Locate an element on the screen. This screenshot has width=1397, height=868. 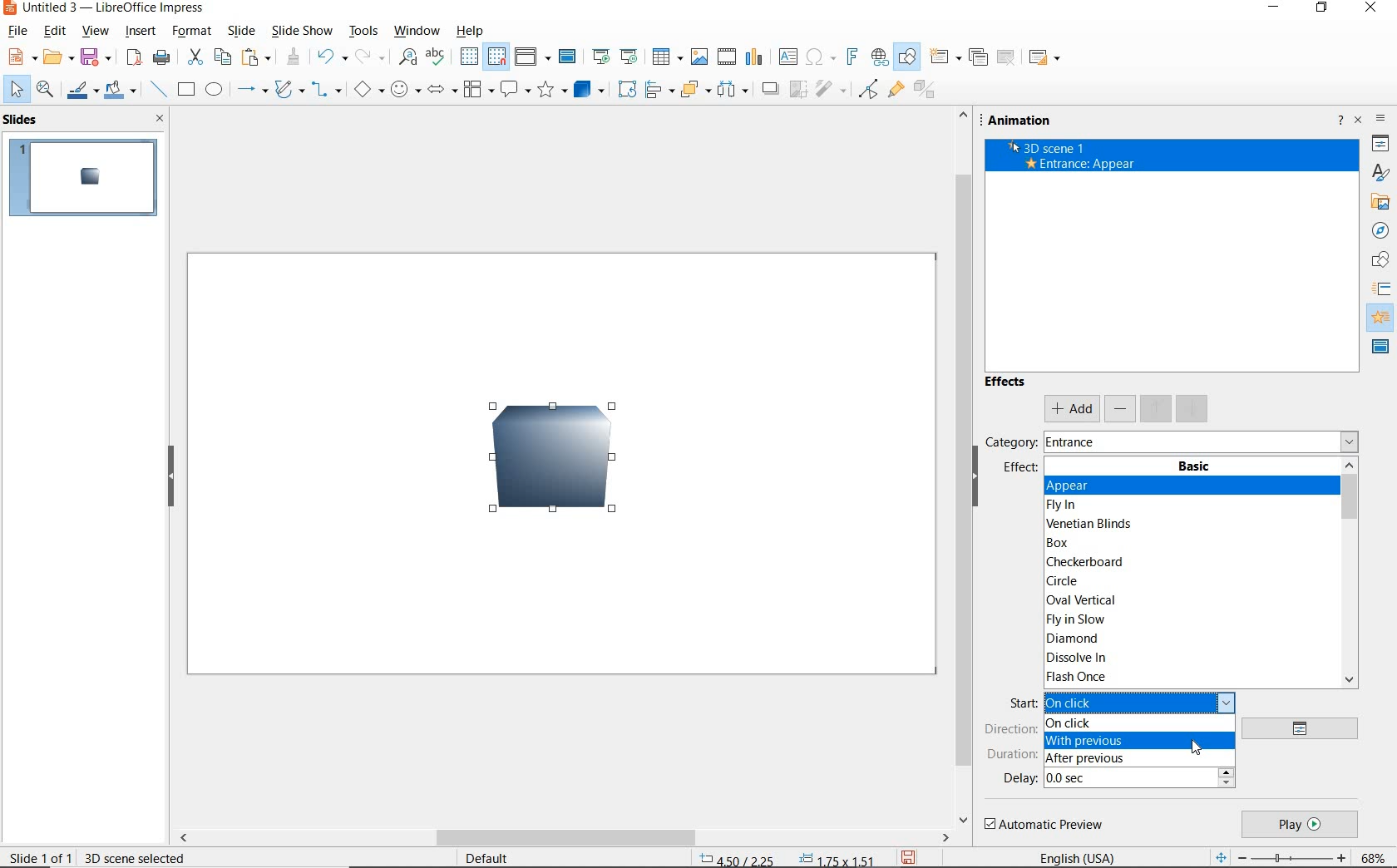
BASIC is located at coordinates (1195, 466).